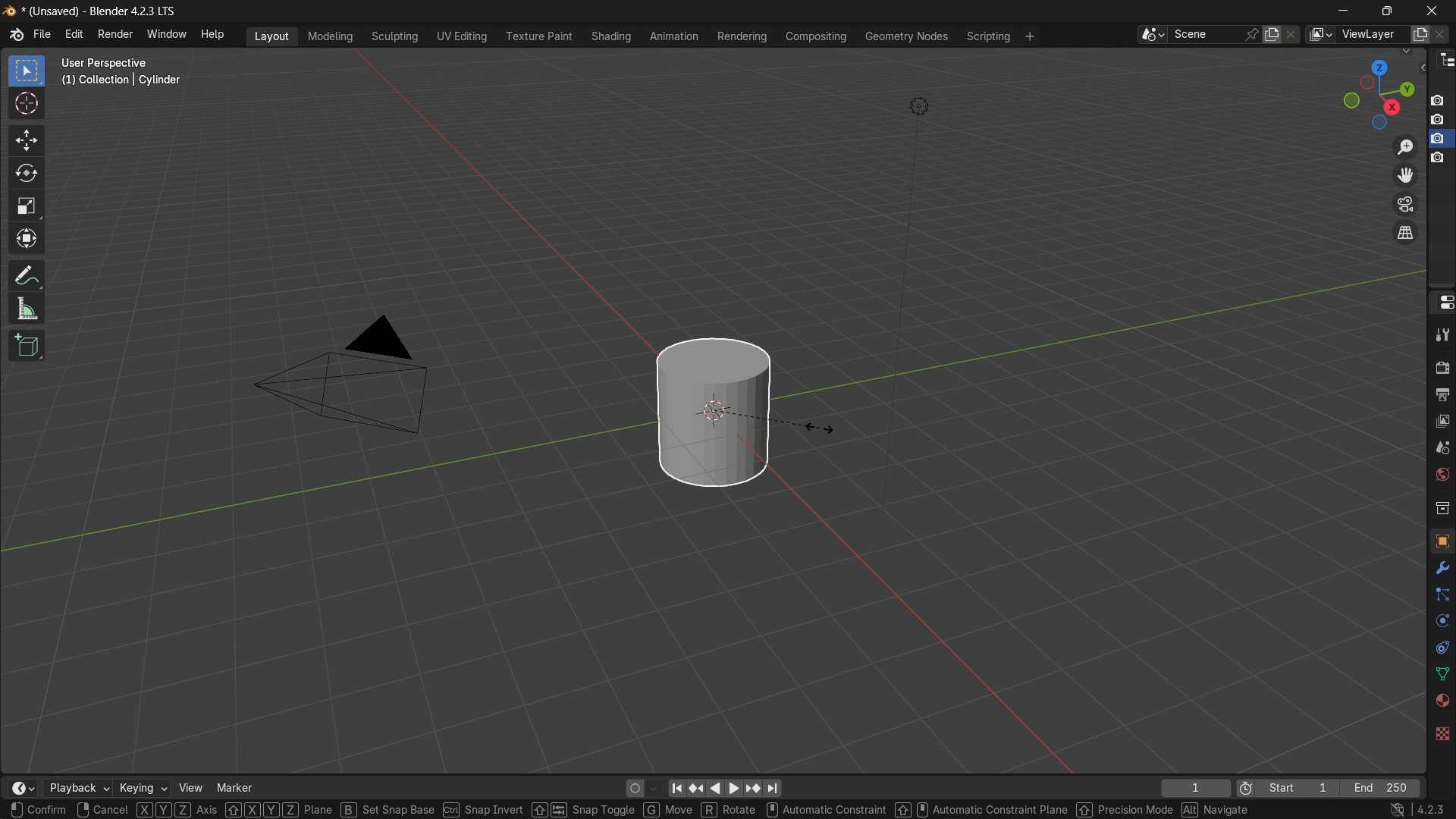 This screenshot has width=1456, height=819. What do you see at coordinates (1439, 571) in the screenshot?
I see `tools` at bounding box center [1439, 571].